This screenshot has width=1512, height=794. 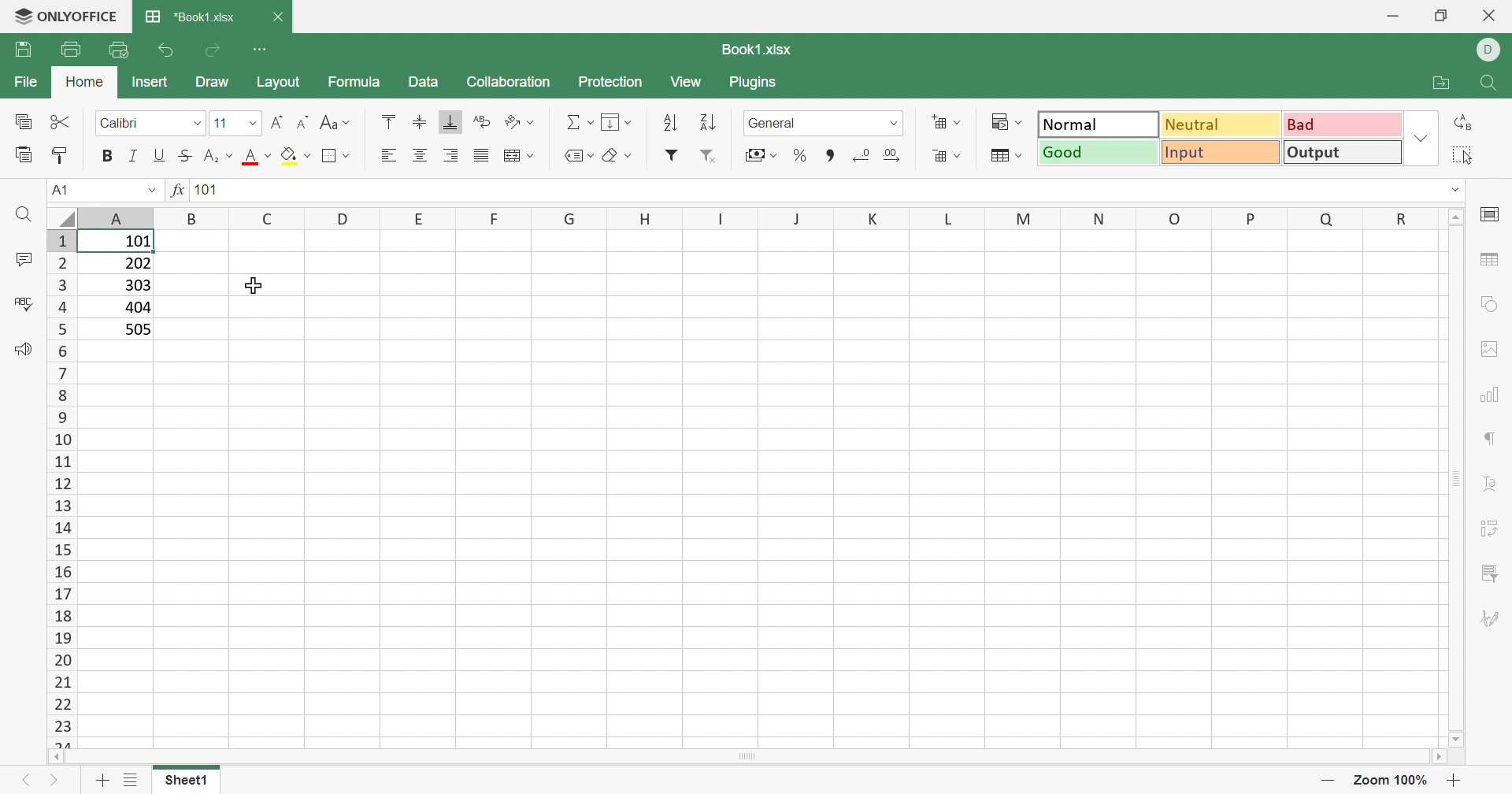 What do you see at coordinates (424, 154) in the screenshot?
I see `Align center` at bounding box center [424, 154].